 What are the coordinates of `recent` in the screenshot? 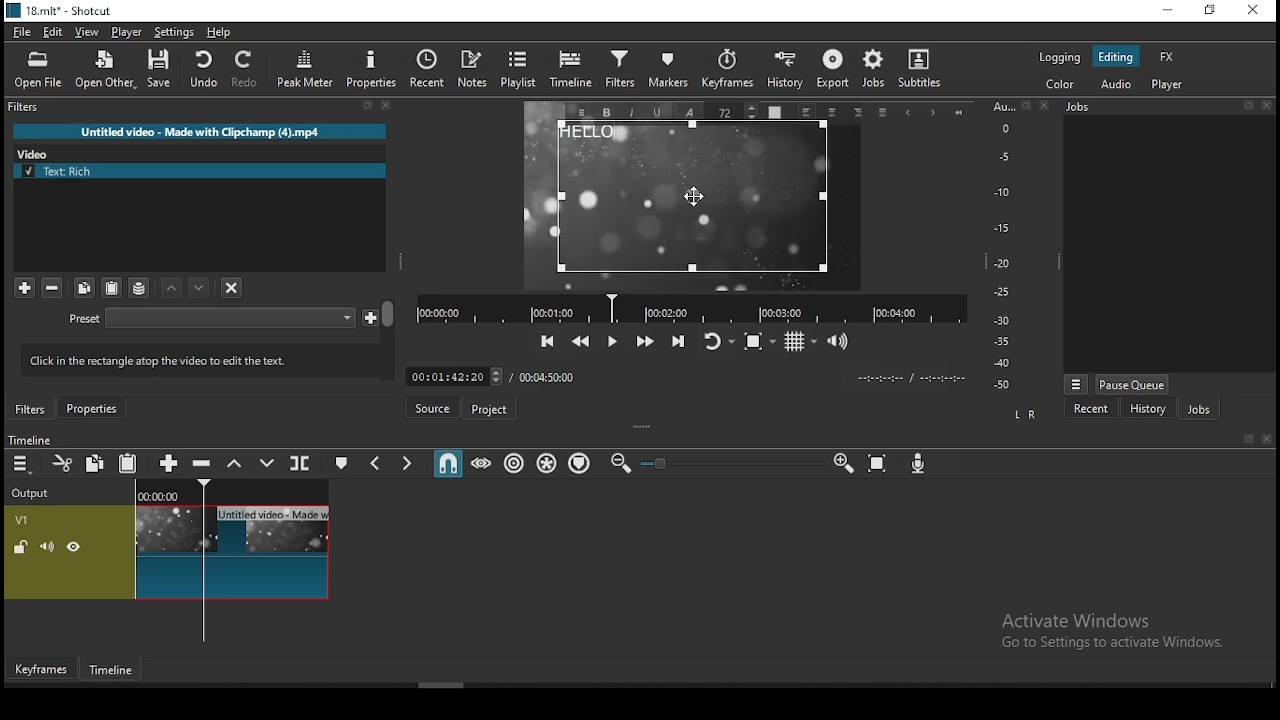 It's located at (427, 69).